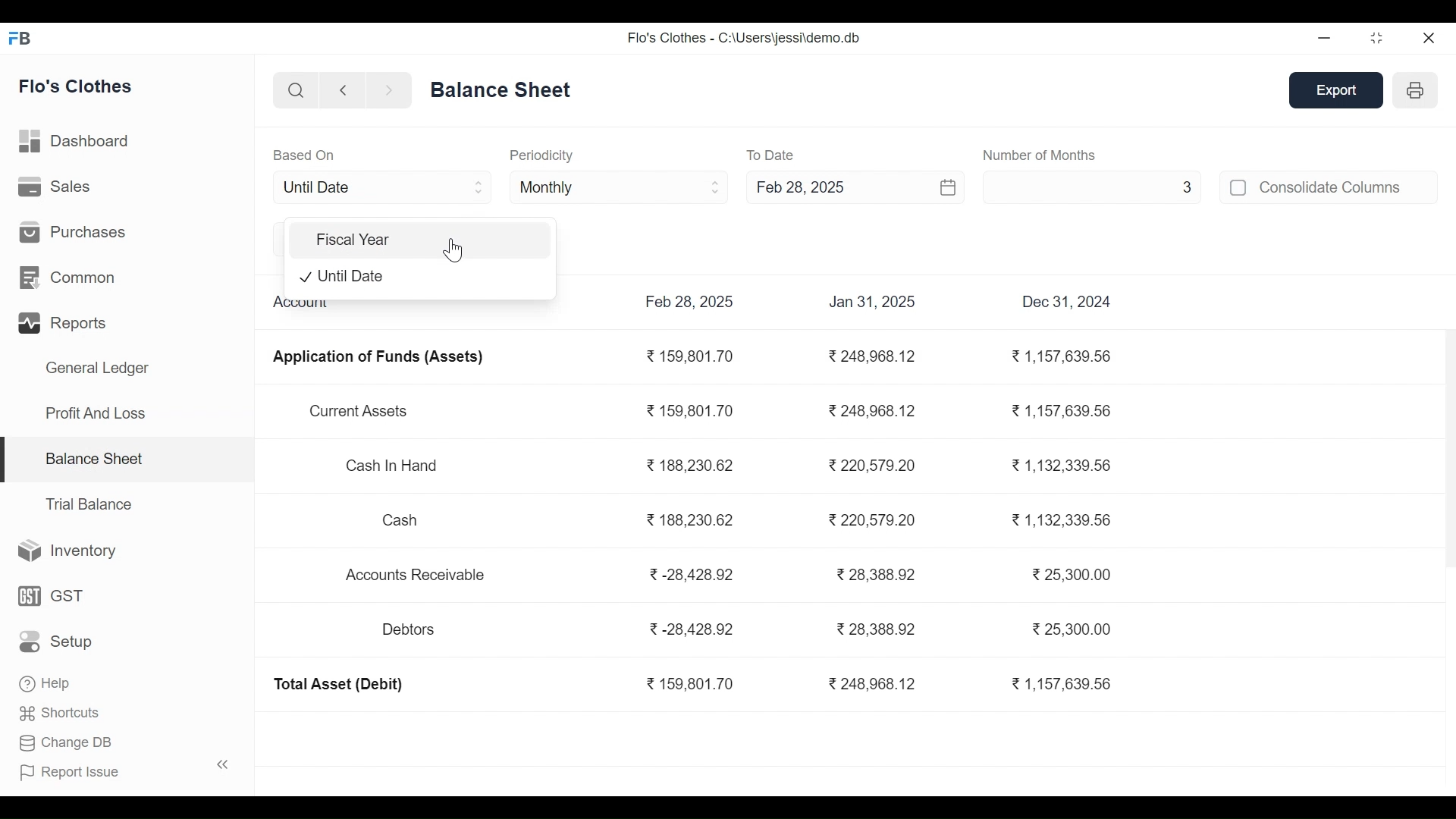 The image size is (1456, 819). What do you see at coordinates (830, 186) in the screenshot?
I see `Feb 28, 2025` at bounding box center [830, 186].